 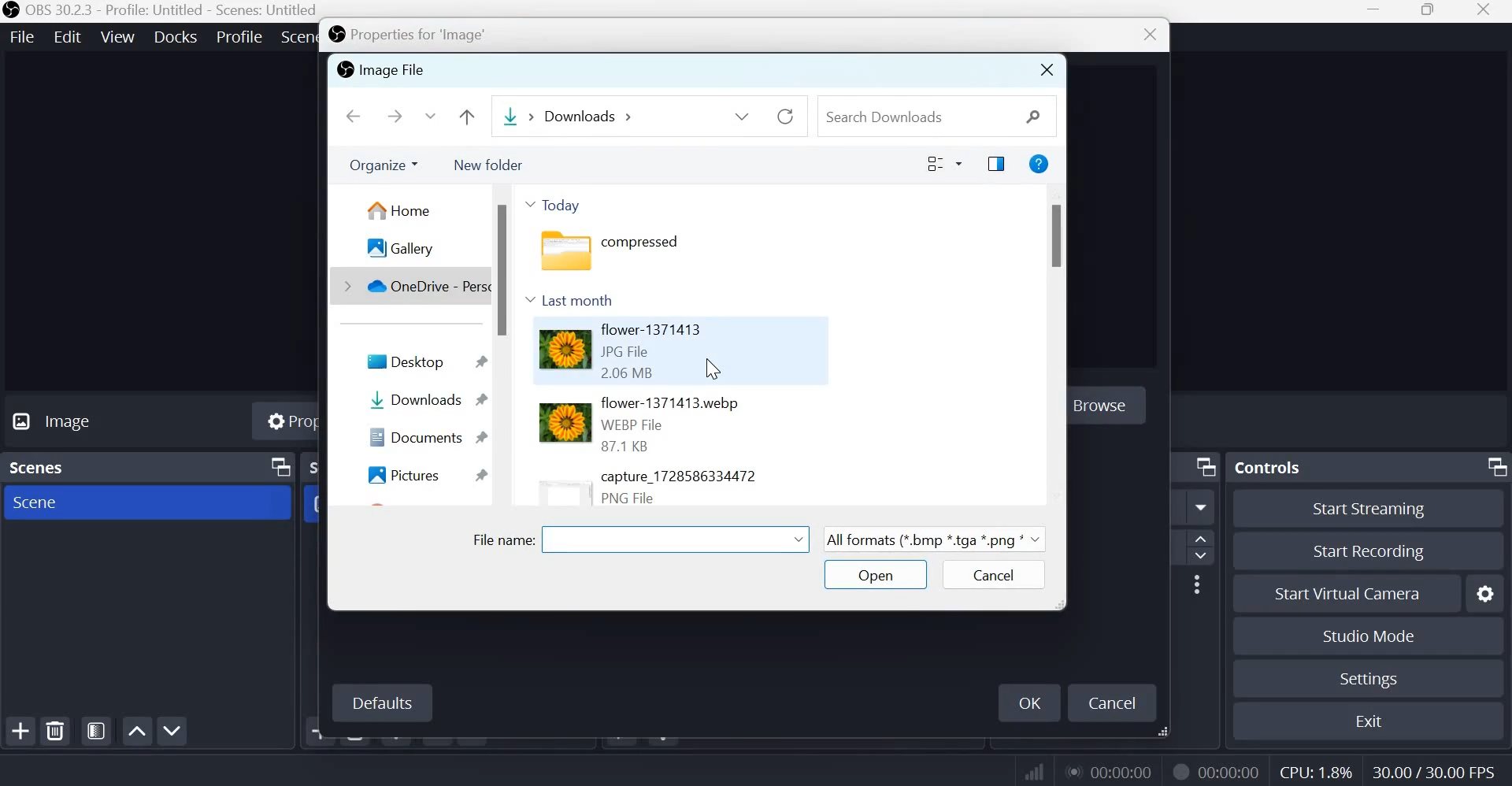 What do you see at coordinates (787, 114) in the screenshot?
I see `refresh` at bounding box center [787, 114].